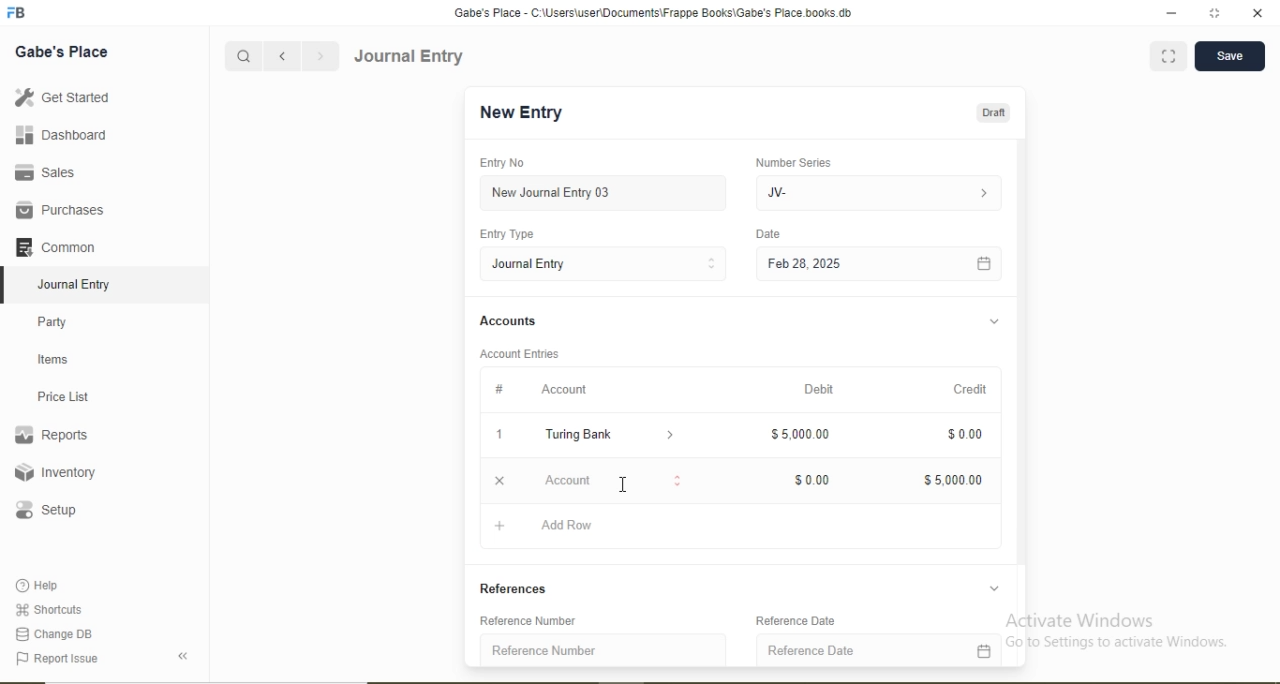 The width and height of the screenshot is (1280, 684). What do you see at coordinates (513, 589) in the screenshot?
I see `References` at bounding box center [513, 589].